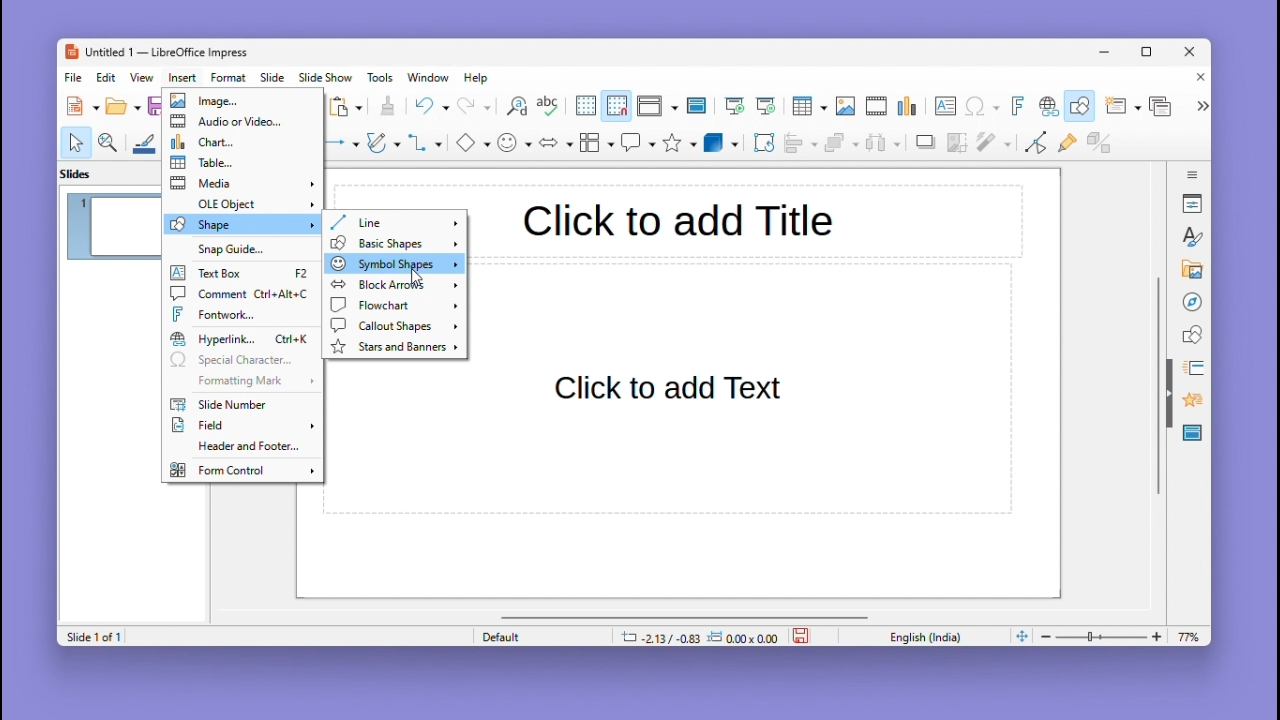 This screenshot has width=1280, height=720. Describe the element at coordinates (762, 142) in the screenshot. I see `Rotate` at that location.